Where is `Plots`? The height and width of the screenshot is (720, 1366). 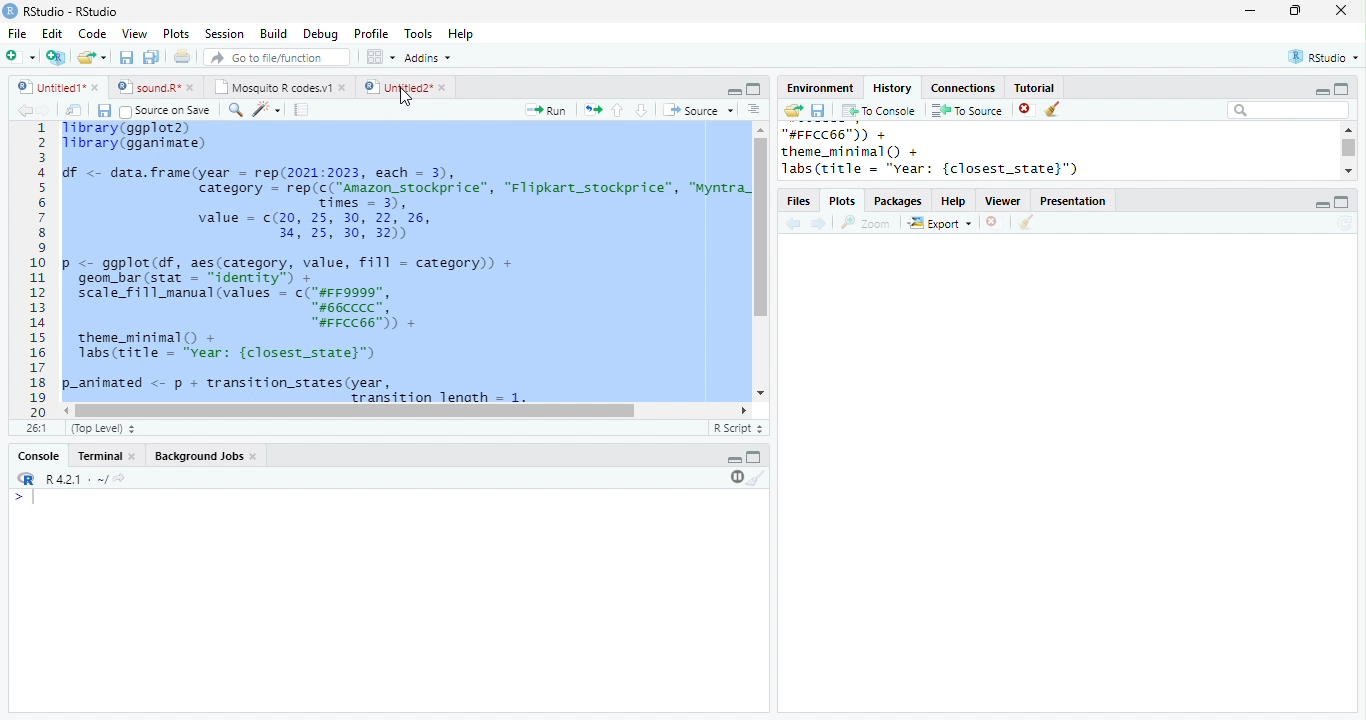
Plots is located at coordinates (177, 34).